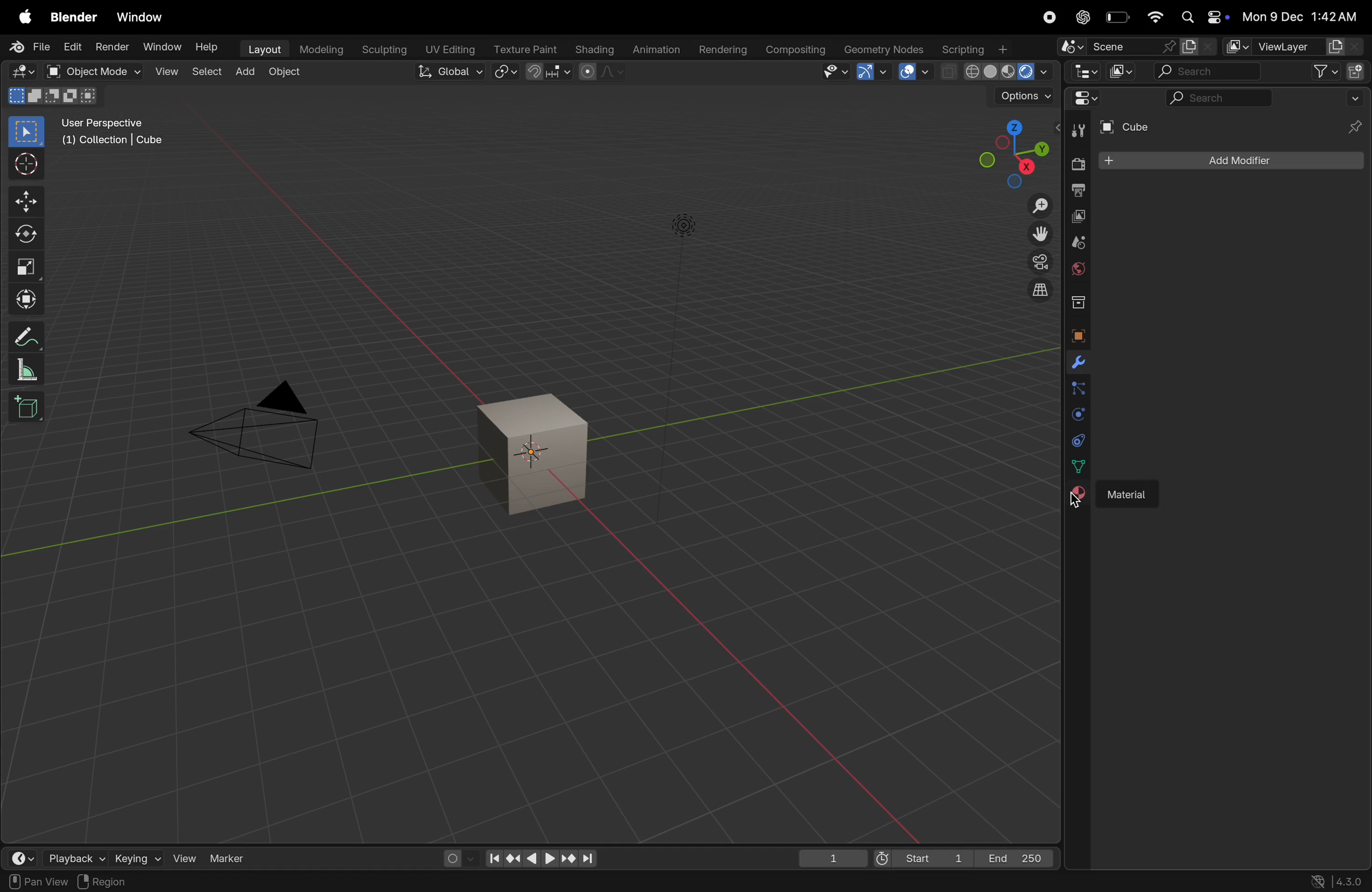  What do you see at coordinates (22, 337) in the screenshot?
I see `annotate` at bounding box center [22, 337].